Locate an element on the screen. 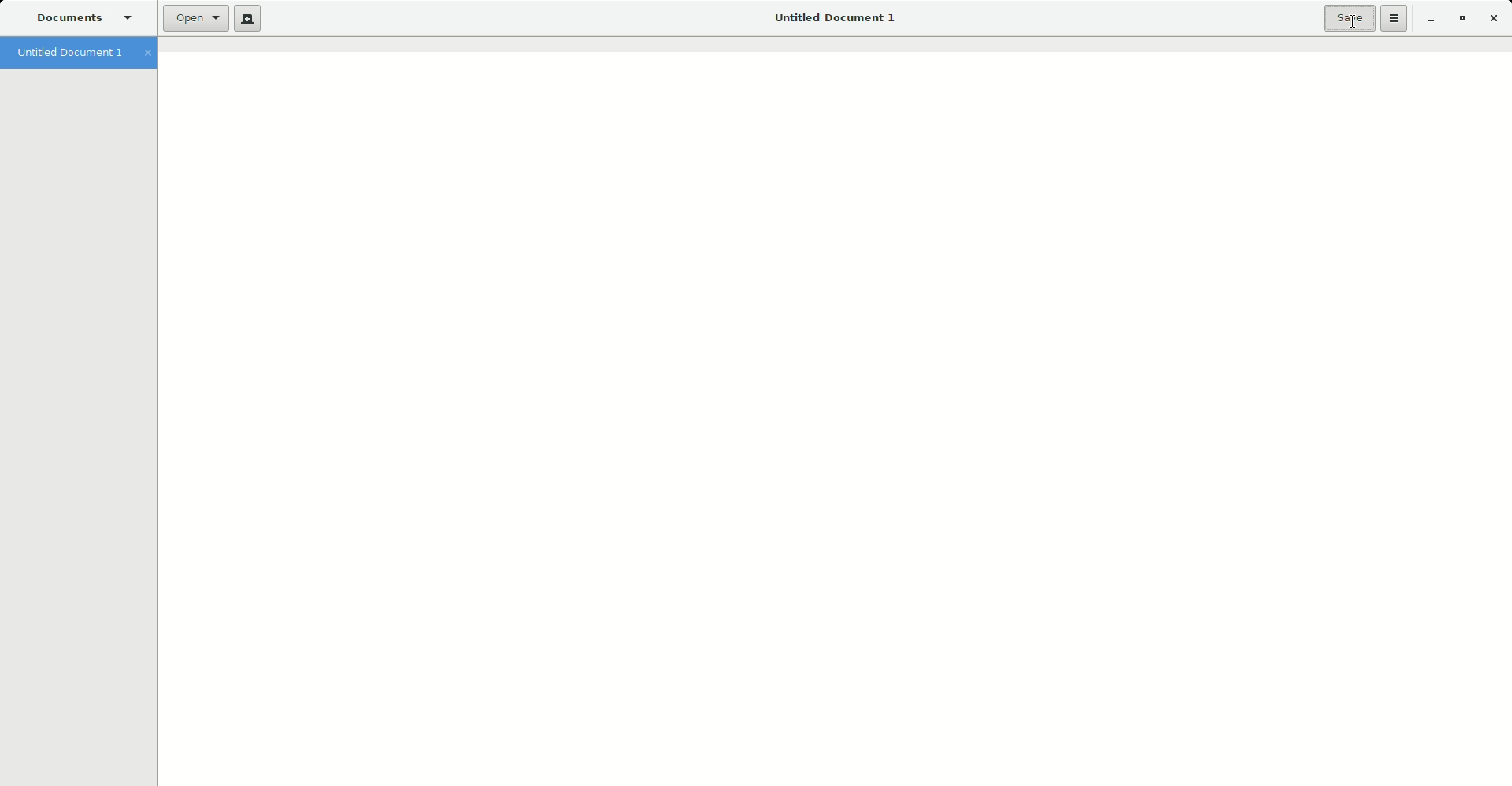 This screenshot has height=786, width=1512. Untitled Document 1 is located at coordinates (835, 19).